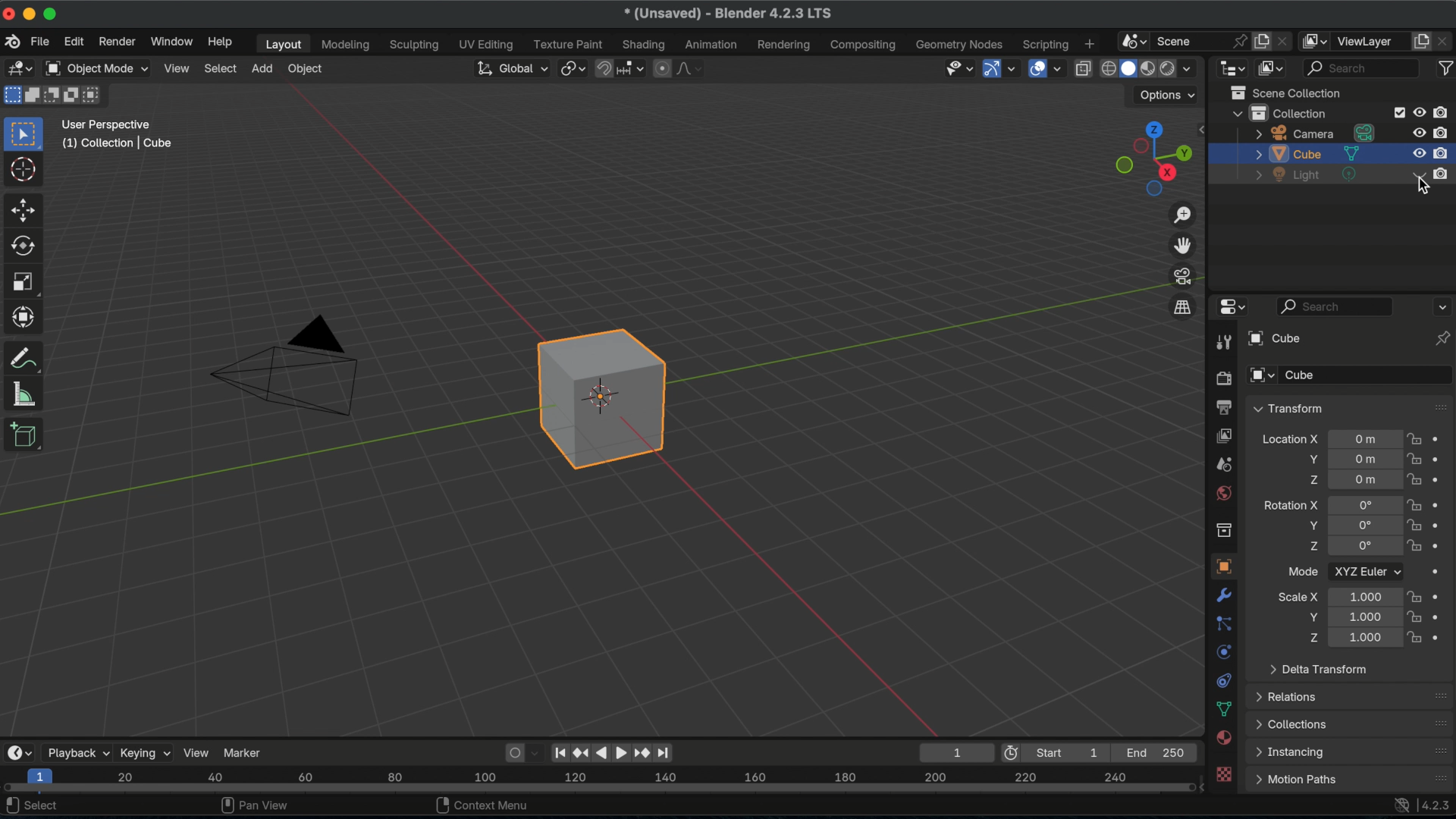 The height and width of the screenshot is (819, 1456). Describe the element at coordinates (1131, 39) in the screenshot. I see `browse scene to be linked` at that location.